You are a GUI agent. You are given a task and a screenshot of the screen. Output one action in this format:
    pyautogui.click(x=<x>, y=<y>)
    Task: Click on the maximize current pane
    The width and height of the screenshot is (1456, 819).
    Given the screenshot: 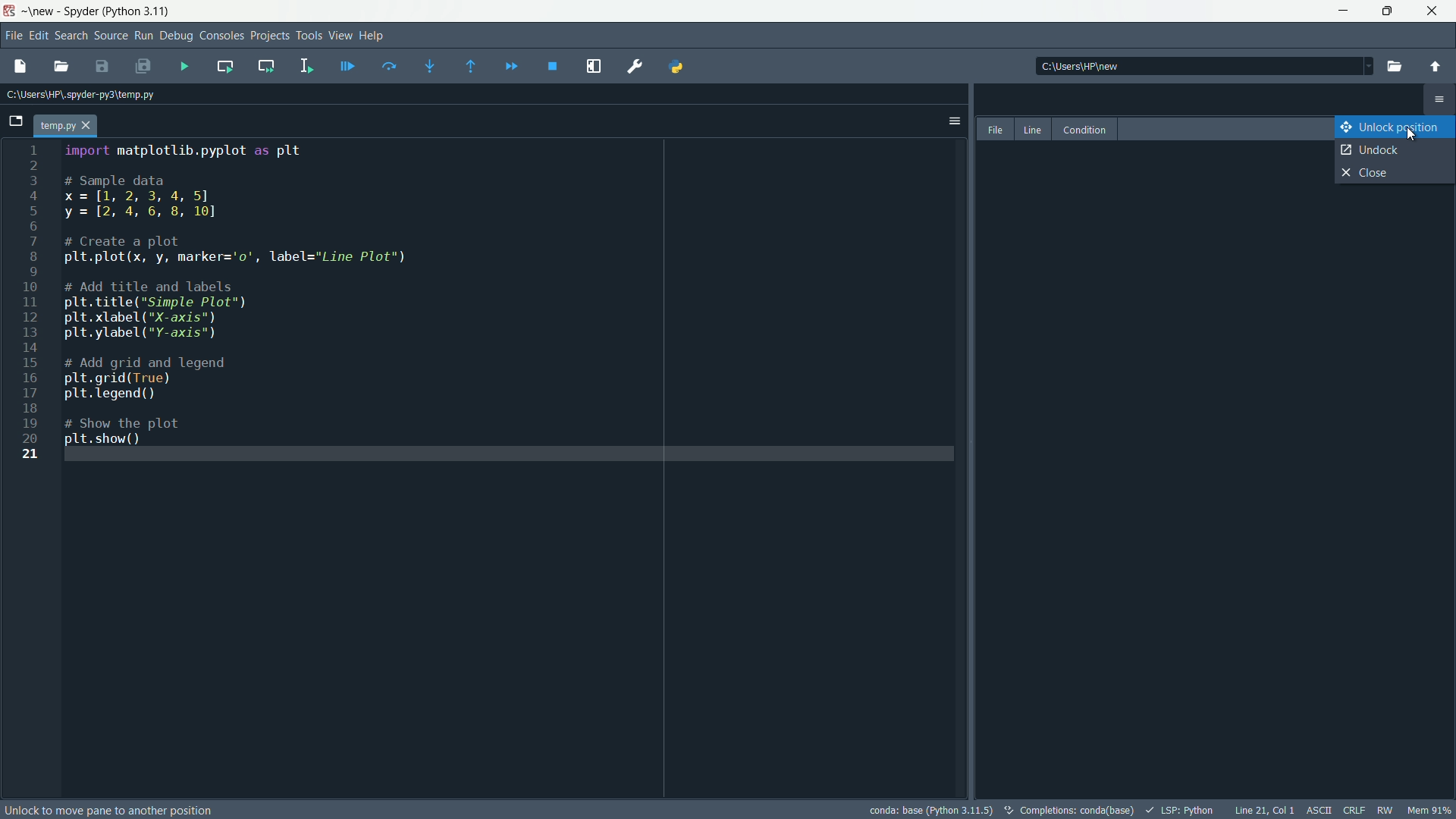 What is the action you would take?
    pyautogui.click(x=596, y=66)
    